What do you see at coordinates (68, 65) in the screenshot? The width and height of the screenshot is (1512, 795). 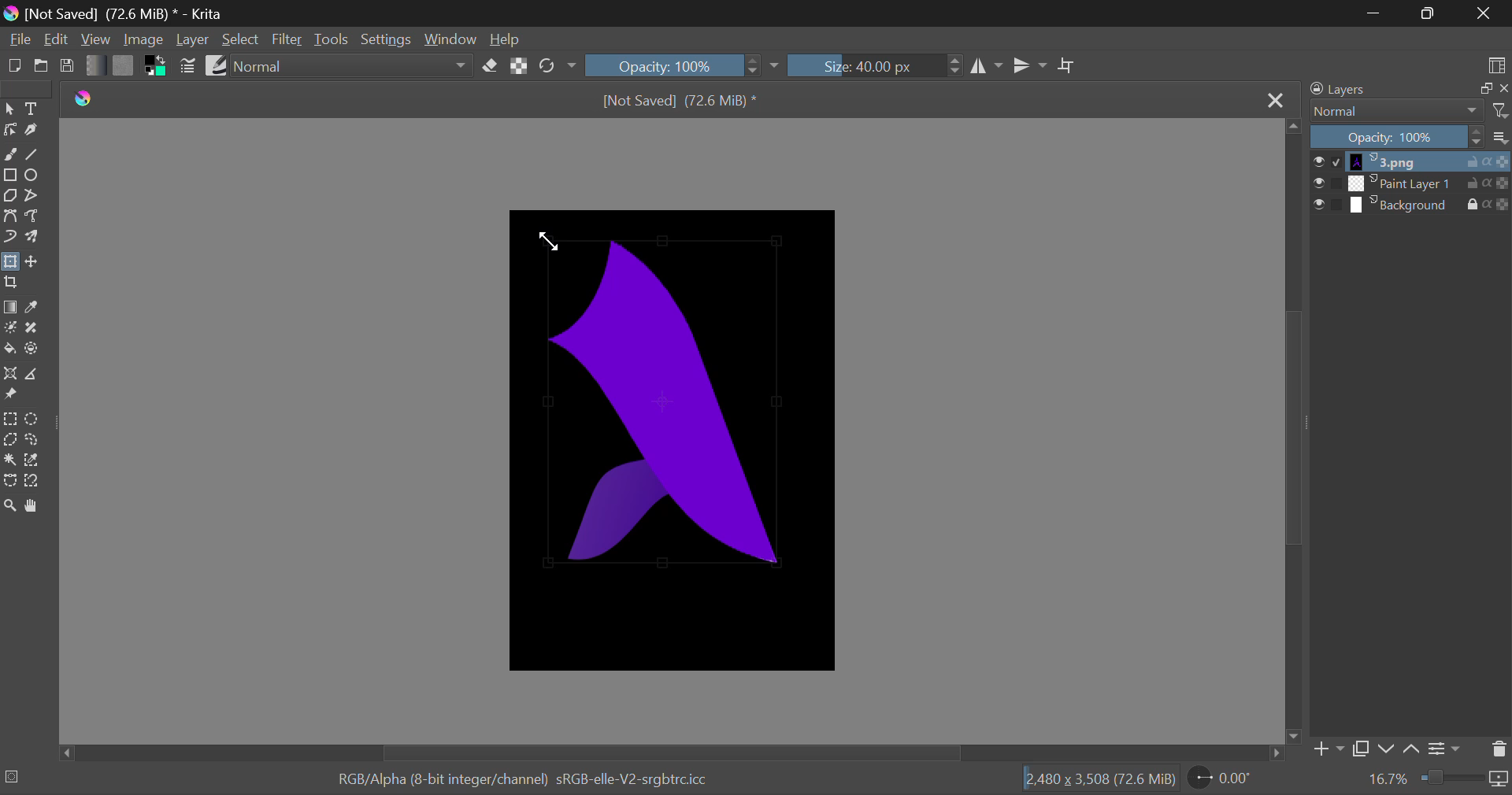 I see `Save` at bounding box center [68, 65].